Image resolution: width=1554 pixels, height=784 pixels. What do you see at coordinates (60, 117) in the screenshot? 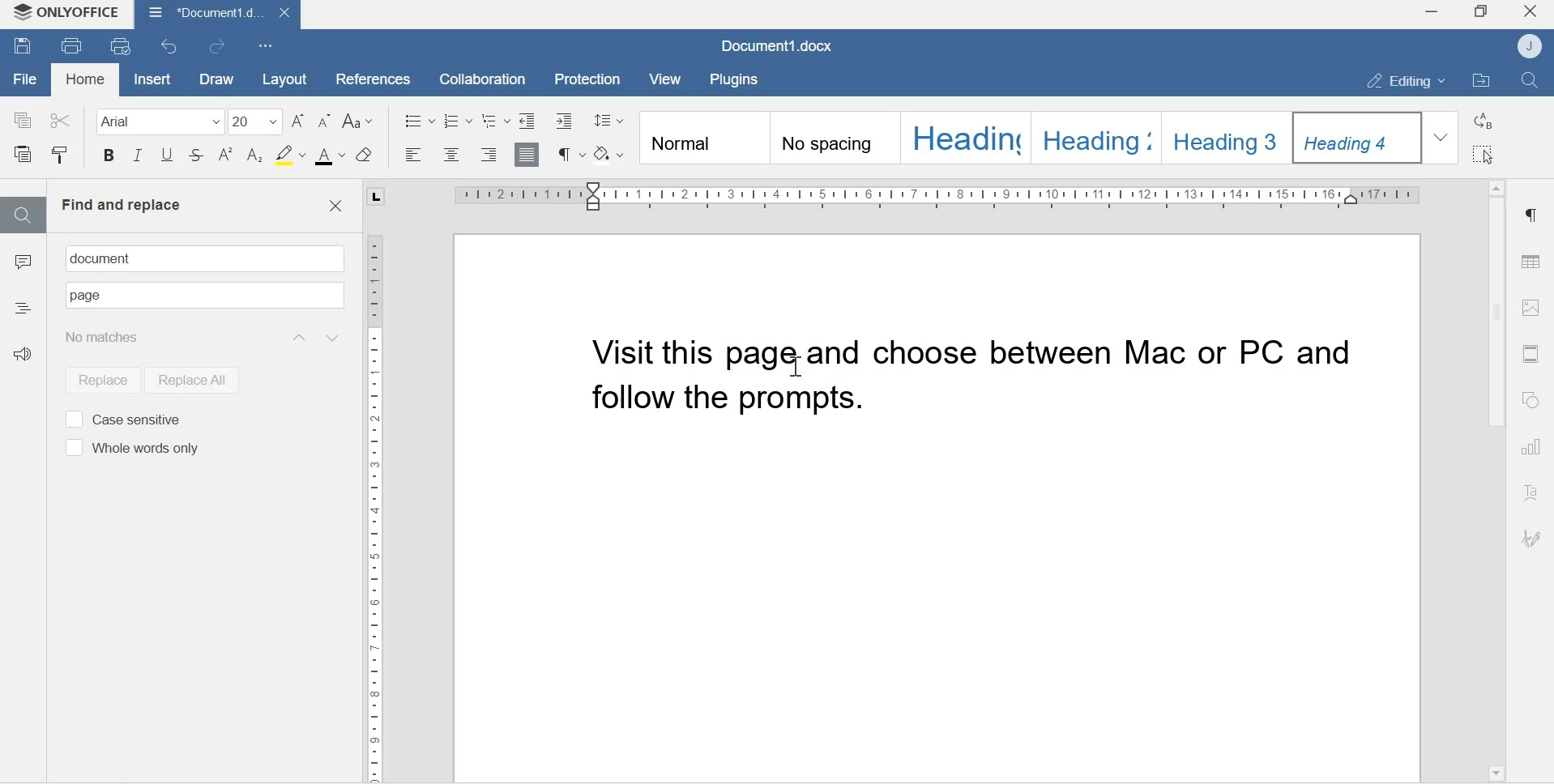
I see `Cut` at bounding box center [60, 117].